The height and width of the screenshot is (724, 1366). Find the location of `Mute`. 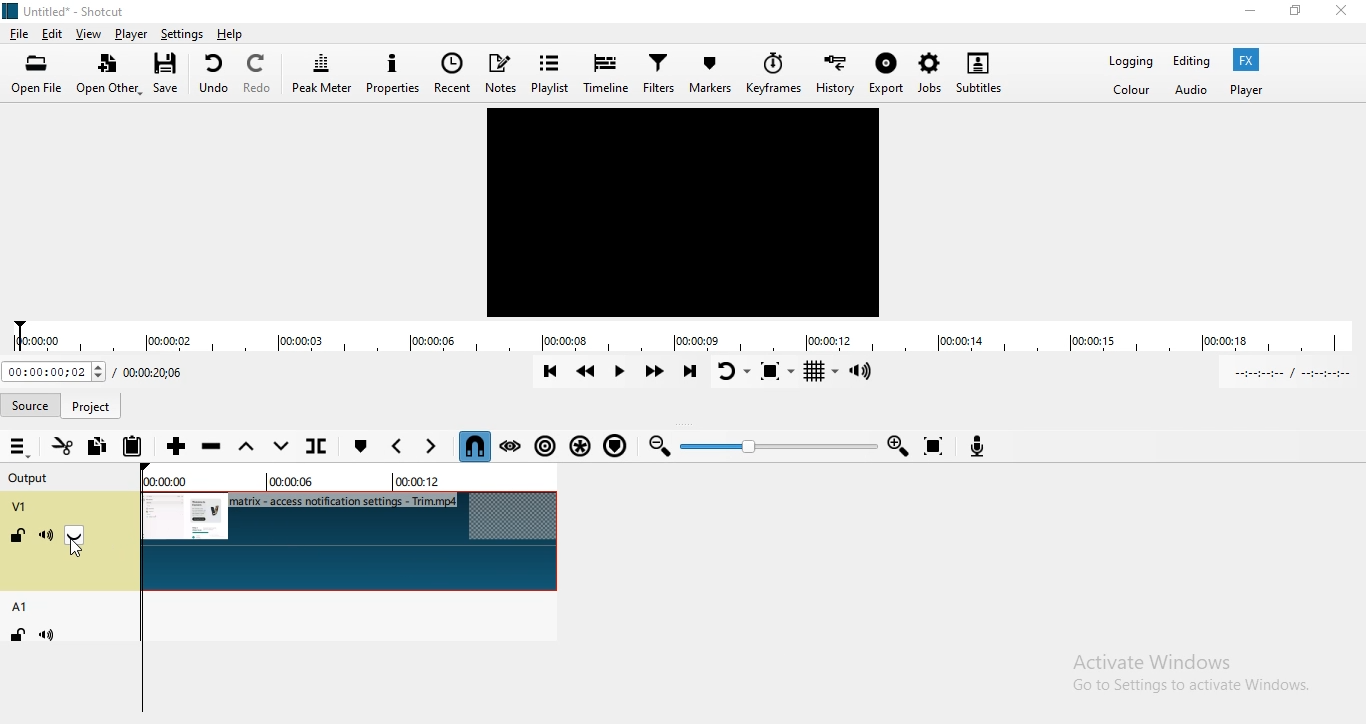

Mute is located at coordinates (46, 536).